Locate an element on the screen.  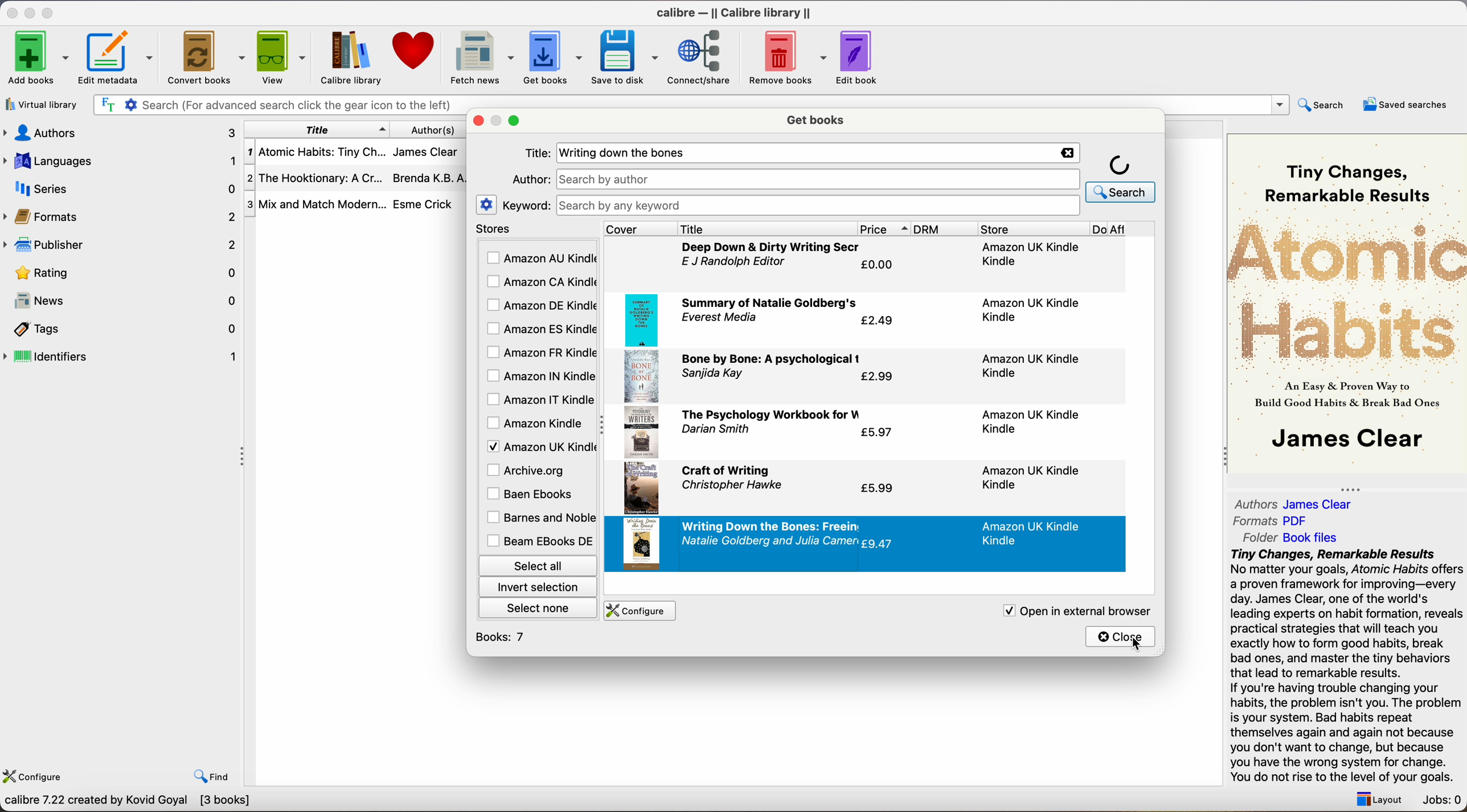
Calibre - ||Calibre library|| is located at coordinates (733, 13).